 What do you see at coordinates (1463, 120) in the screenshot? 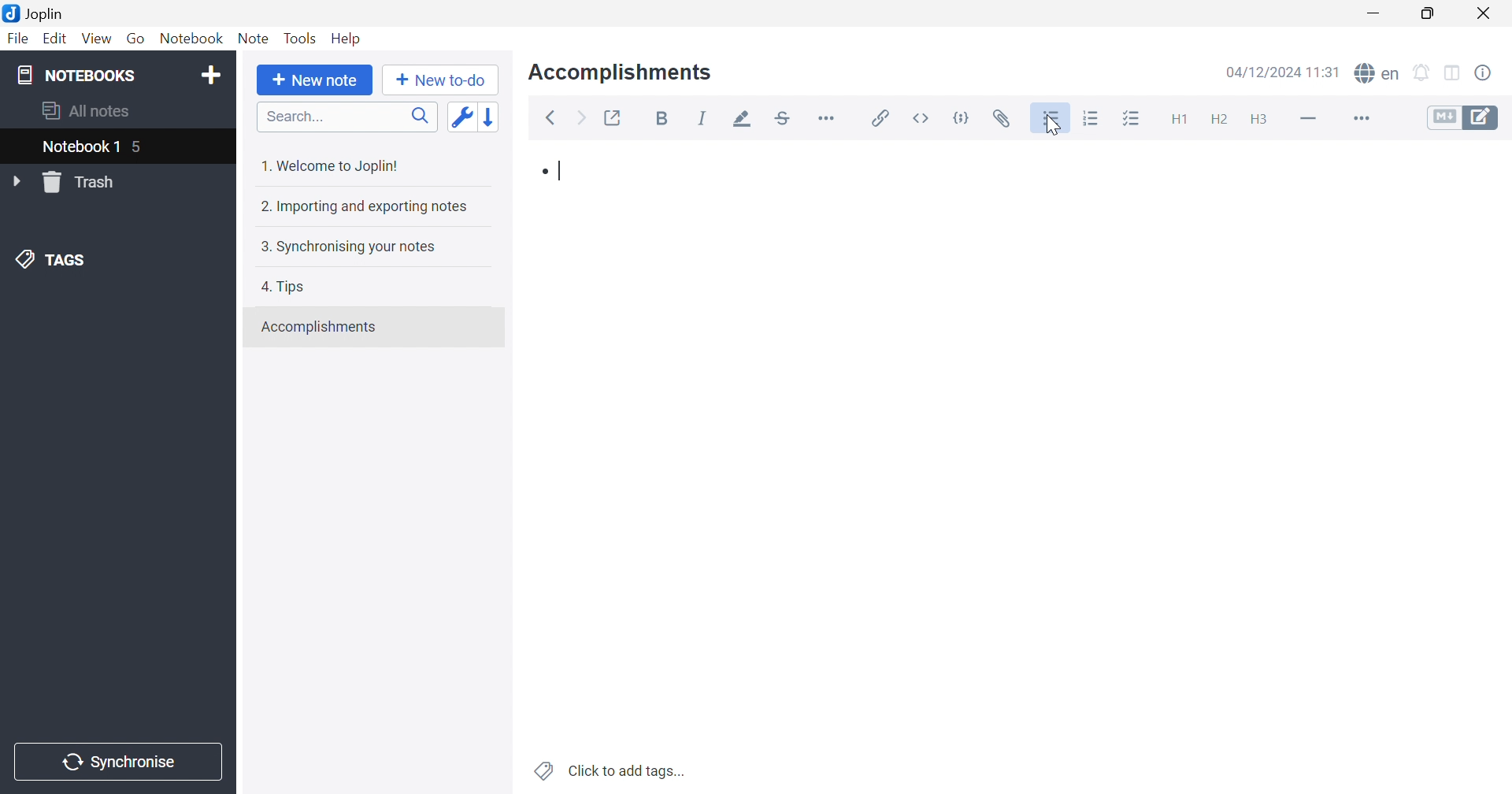
I see `Toggle editors` at bounding box center [1463, 120].